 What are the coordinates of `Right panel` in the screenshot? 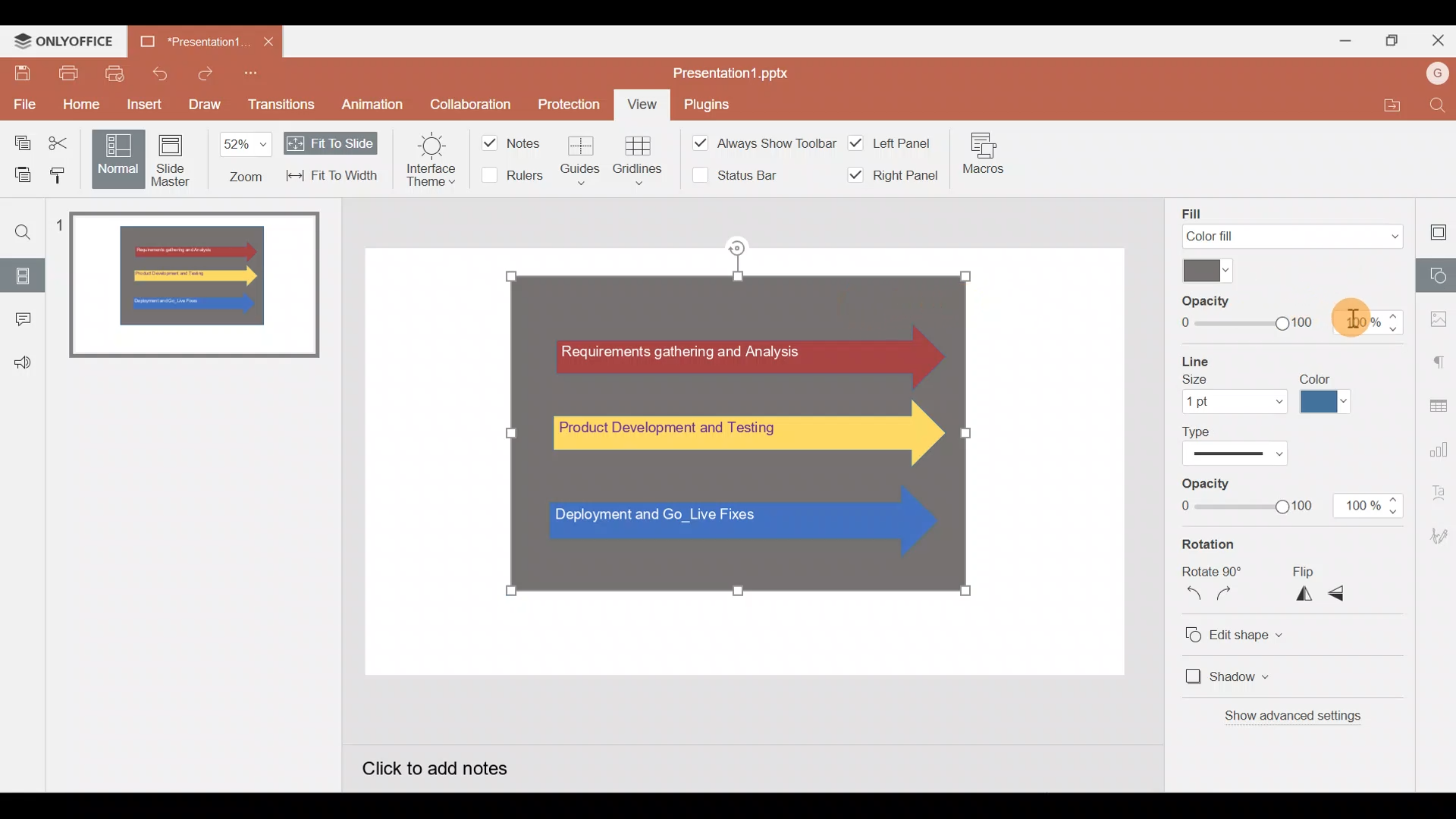 It's located at (890, 176).